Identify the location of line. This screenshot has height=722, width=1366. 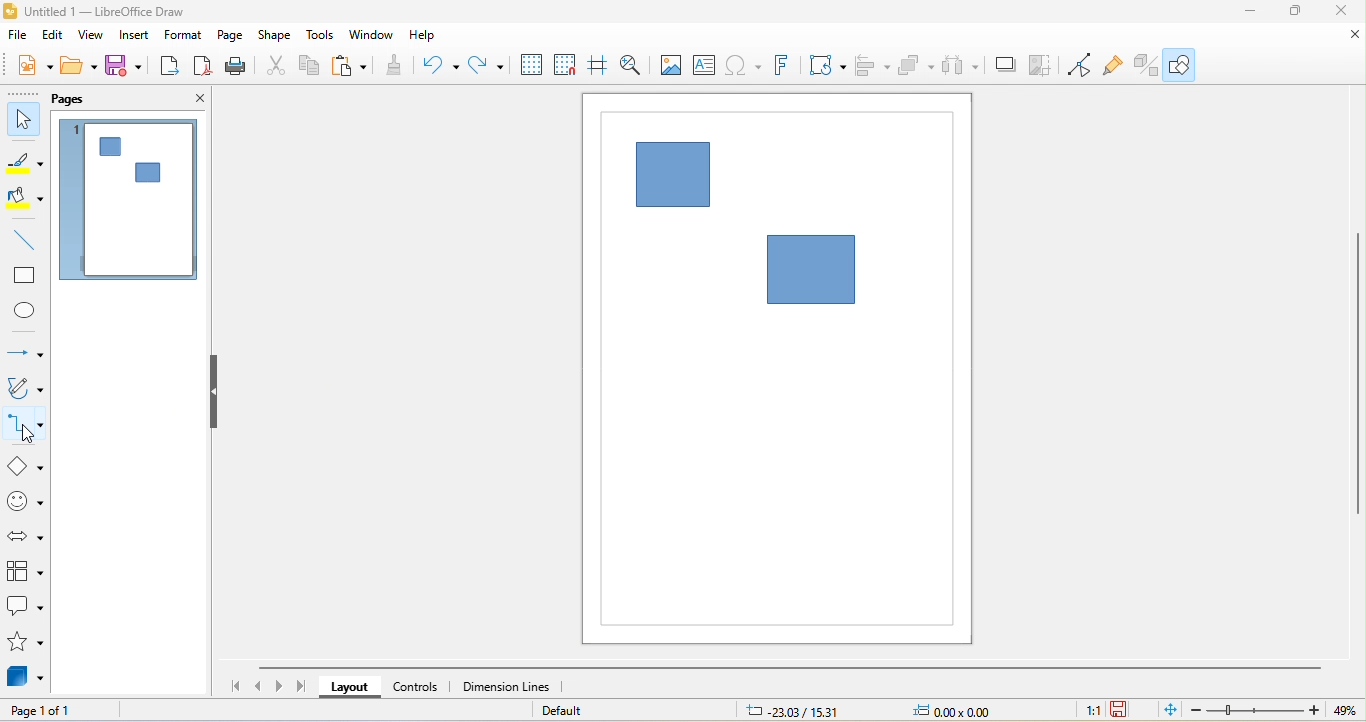
(24, 240).